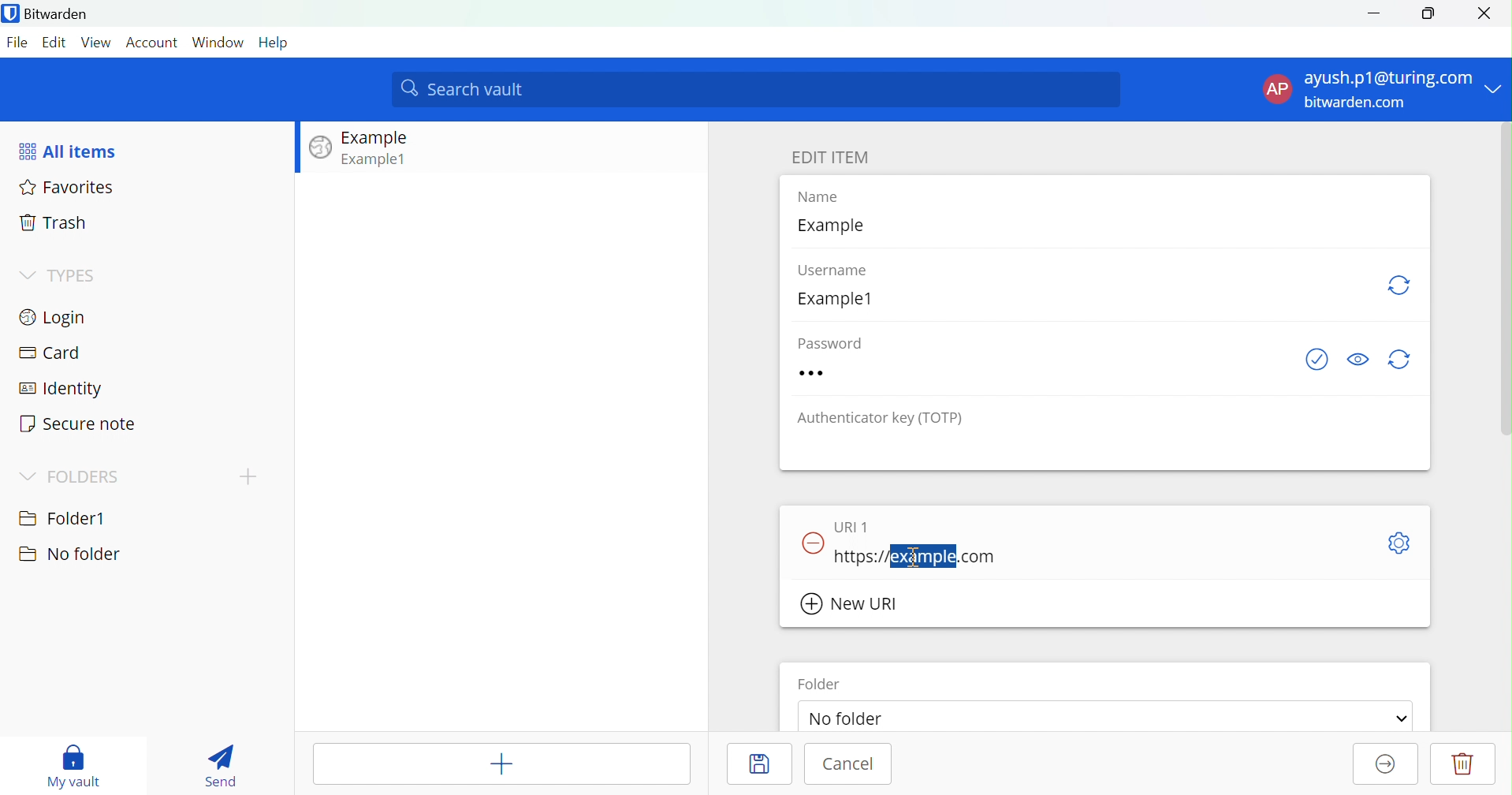  What do you see at coordinates (84, 478) in the screenshot?
I see `FOLDERS` at bounding box center [84, 478].